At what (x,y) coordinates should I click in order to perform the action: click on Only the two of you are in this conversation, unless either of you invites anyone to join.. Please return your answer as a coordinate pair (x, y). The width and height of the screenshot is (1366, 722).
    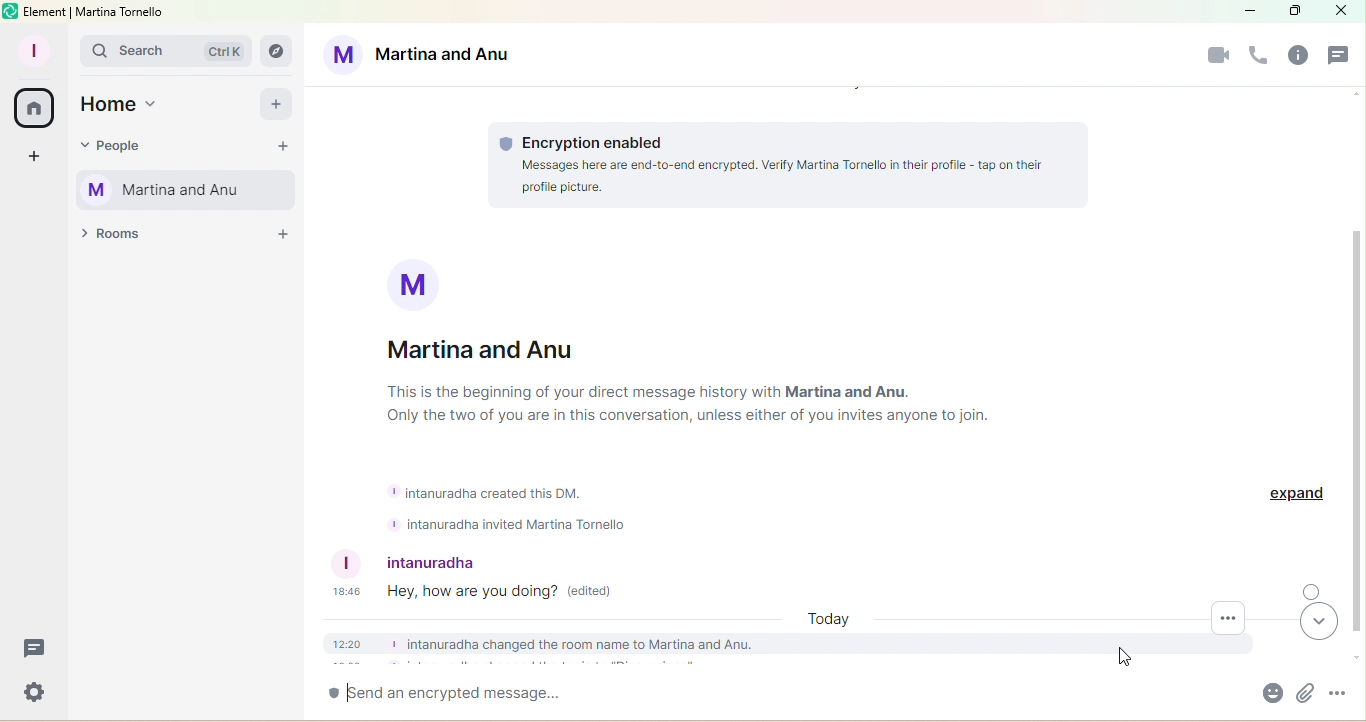
    Looking at the image, I should click on (705, 418).